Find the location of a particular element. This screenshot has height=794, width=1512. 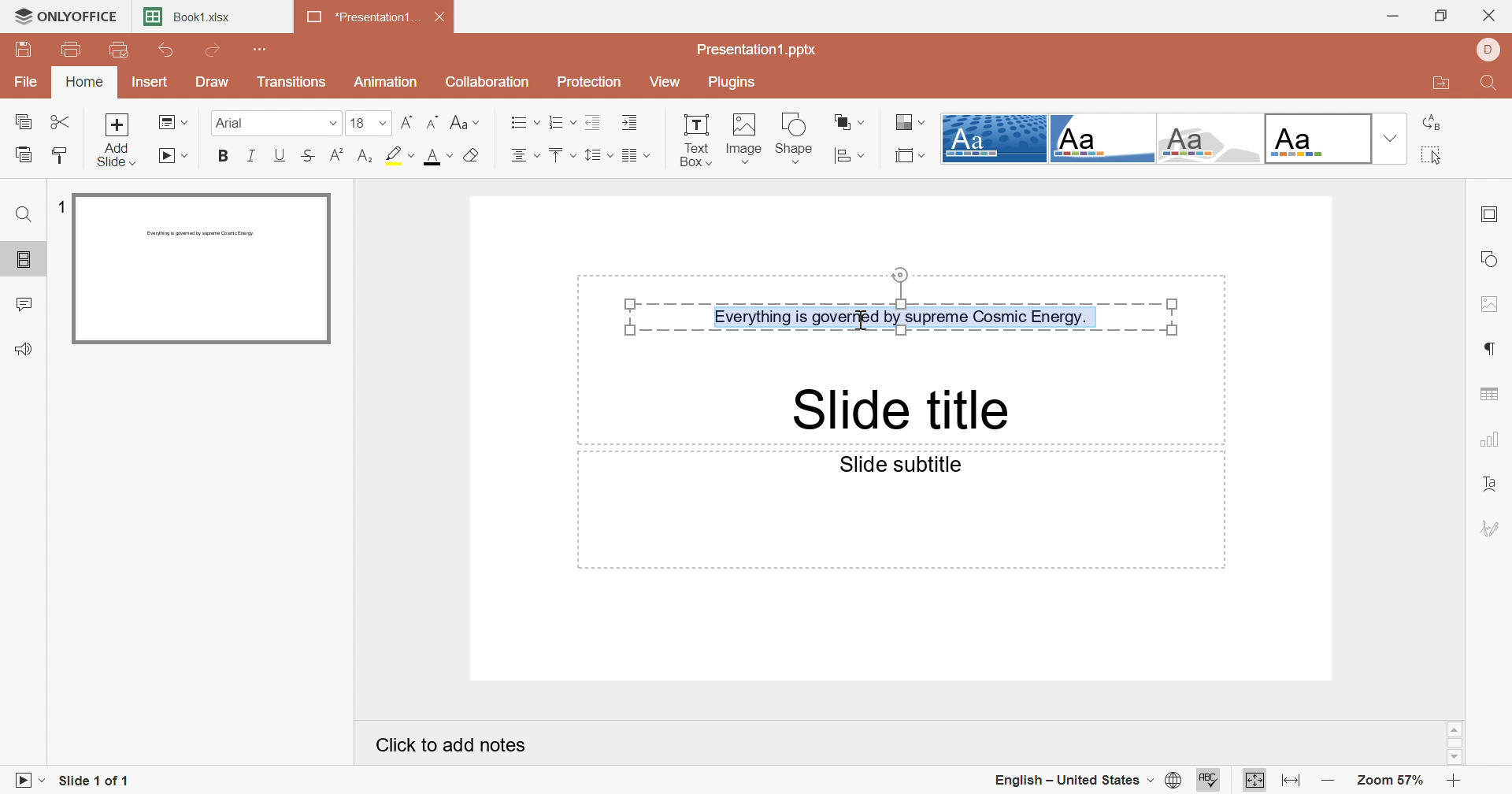

Align shape is located at coordinates (850, 154).